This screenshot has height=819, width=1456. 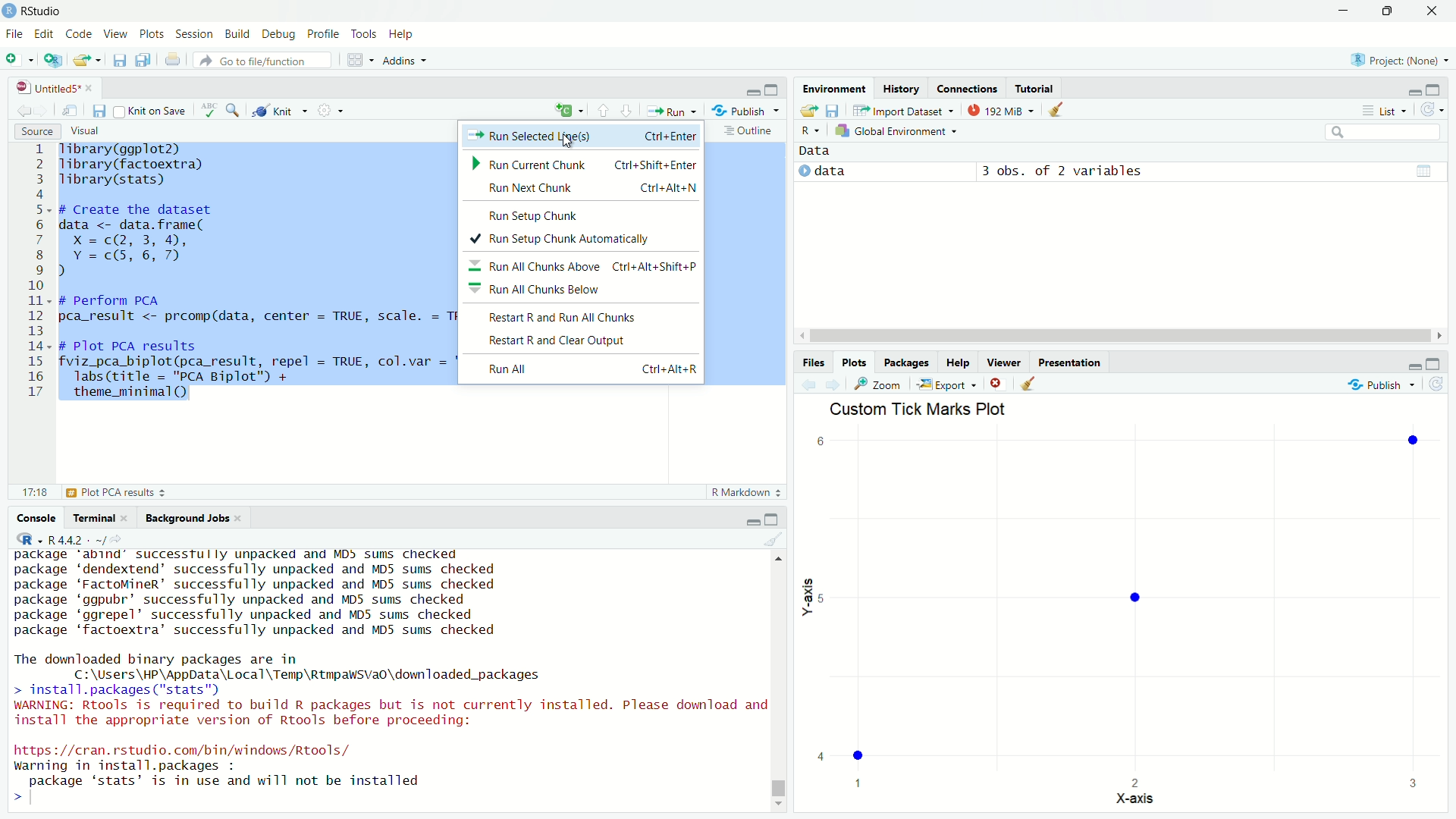 What do you see at coordinates (1438, 384) in the screenshot?
I see `refresh` at bounding box center [1438, 384].